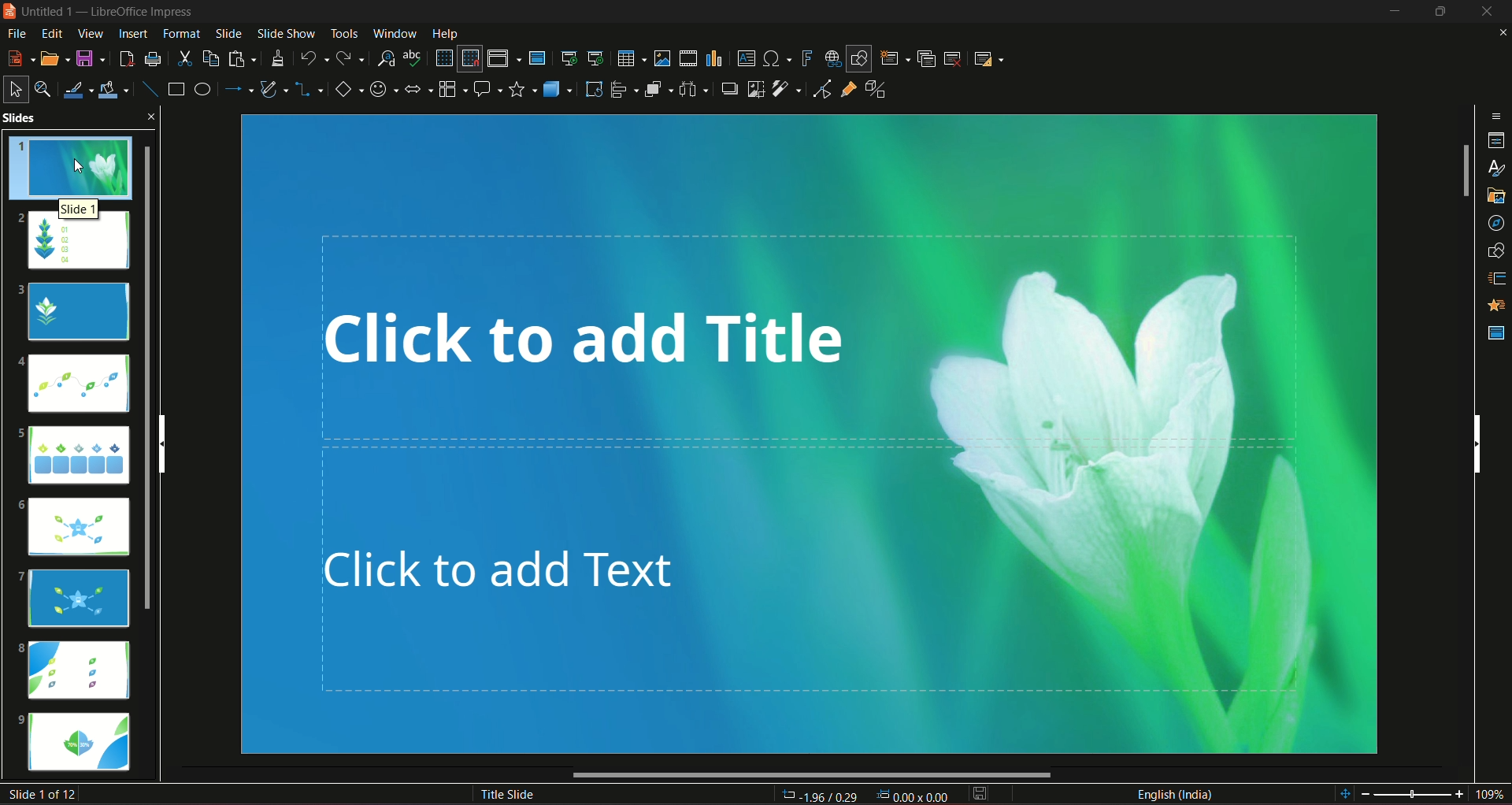 The width and height of the screenshot is (1512, 805). I want to click on slide 2, so click(77, 246).